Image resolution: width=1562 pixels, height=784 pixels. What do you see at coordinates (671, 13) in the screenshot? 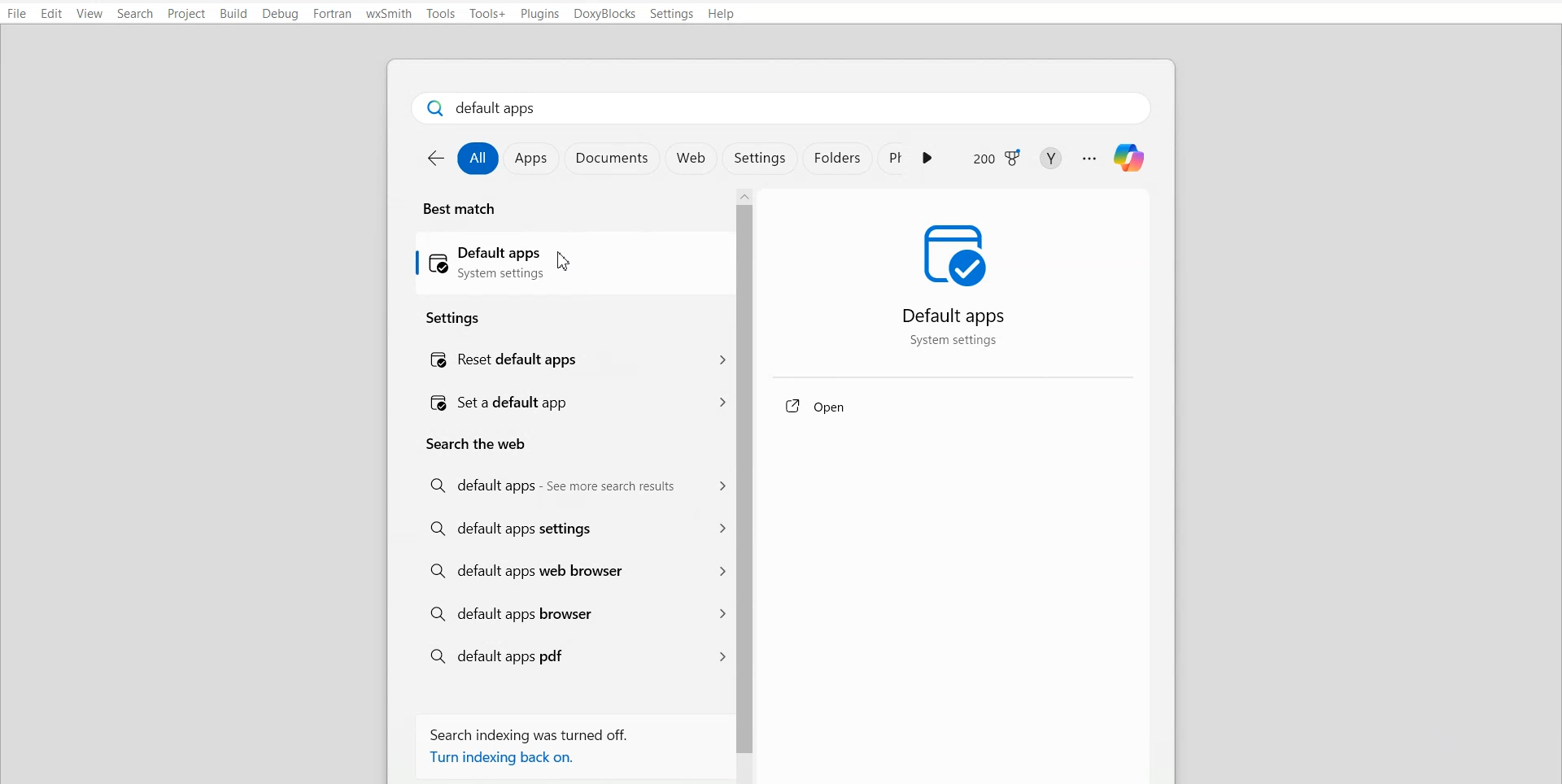
I see `Settings` at bounding box center [671, 13].